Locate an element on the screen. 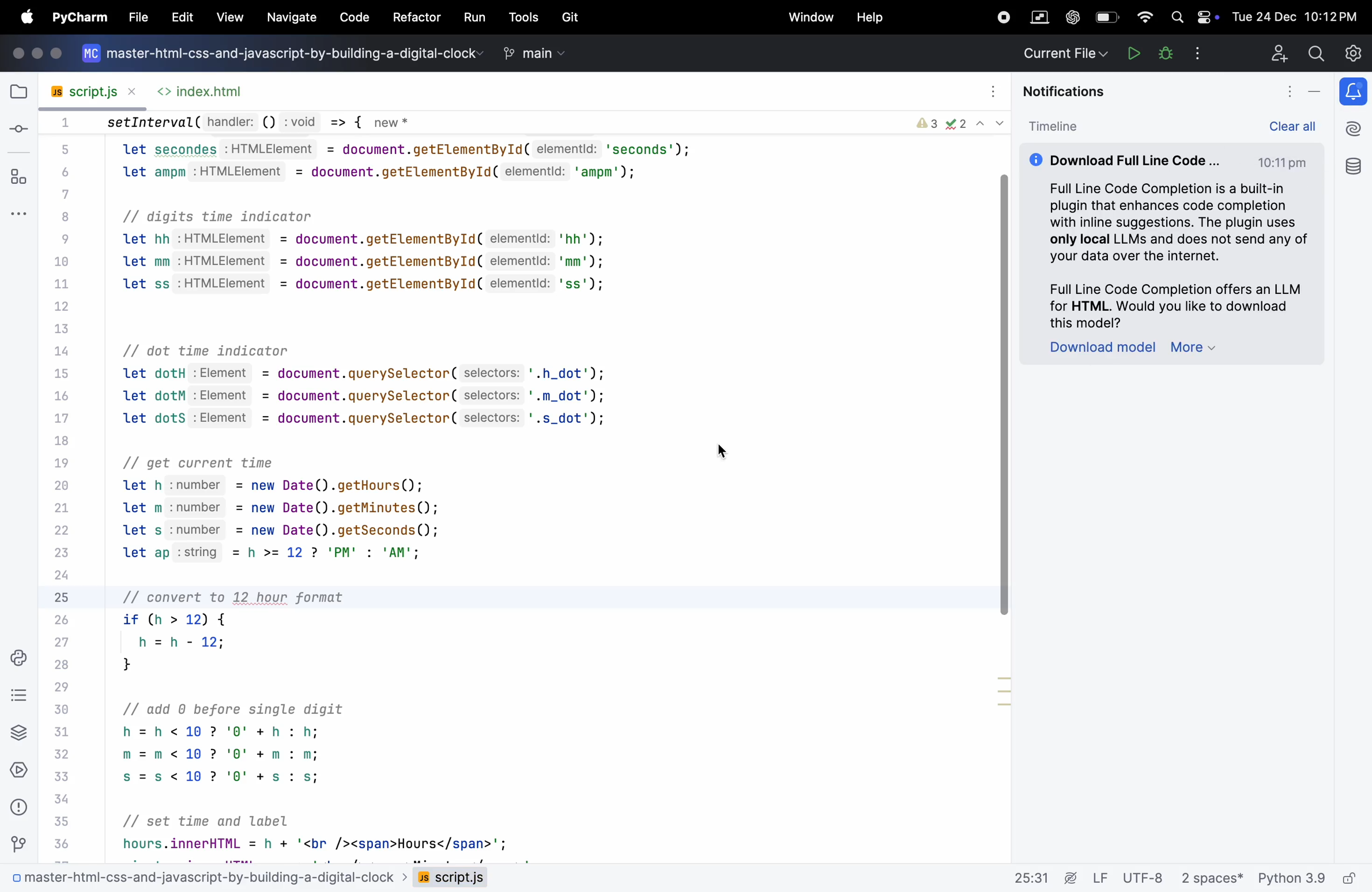  wifi is located at coordinates (1143, 16).